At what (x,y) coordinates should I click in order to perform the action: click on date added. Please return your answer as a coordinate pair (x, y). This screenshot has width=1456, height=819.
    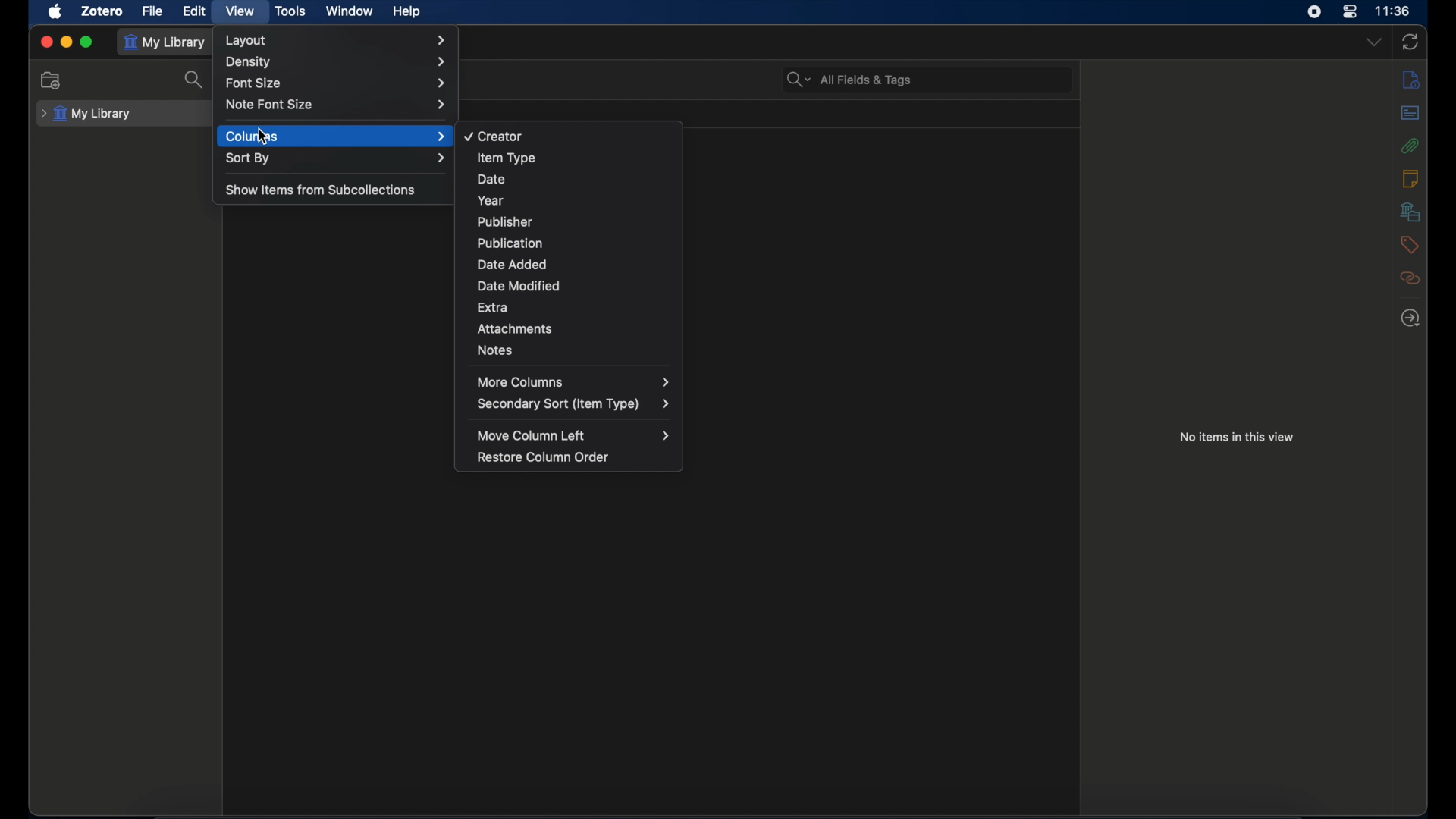
    Looking at the image, I should click on (513, 265).